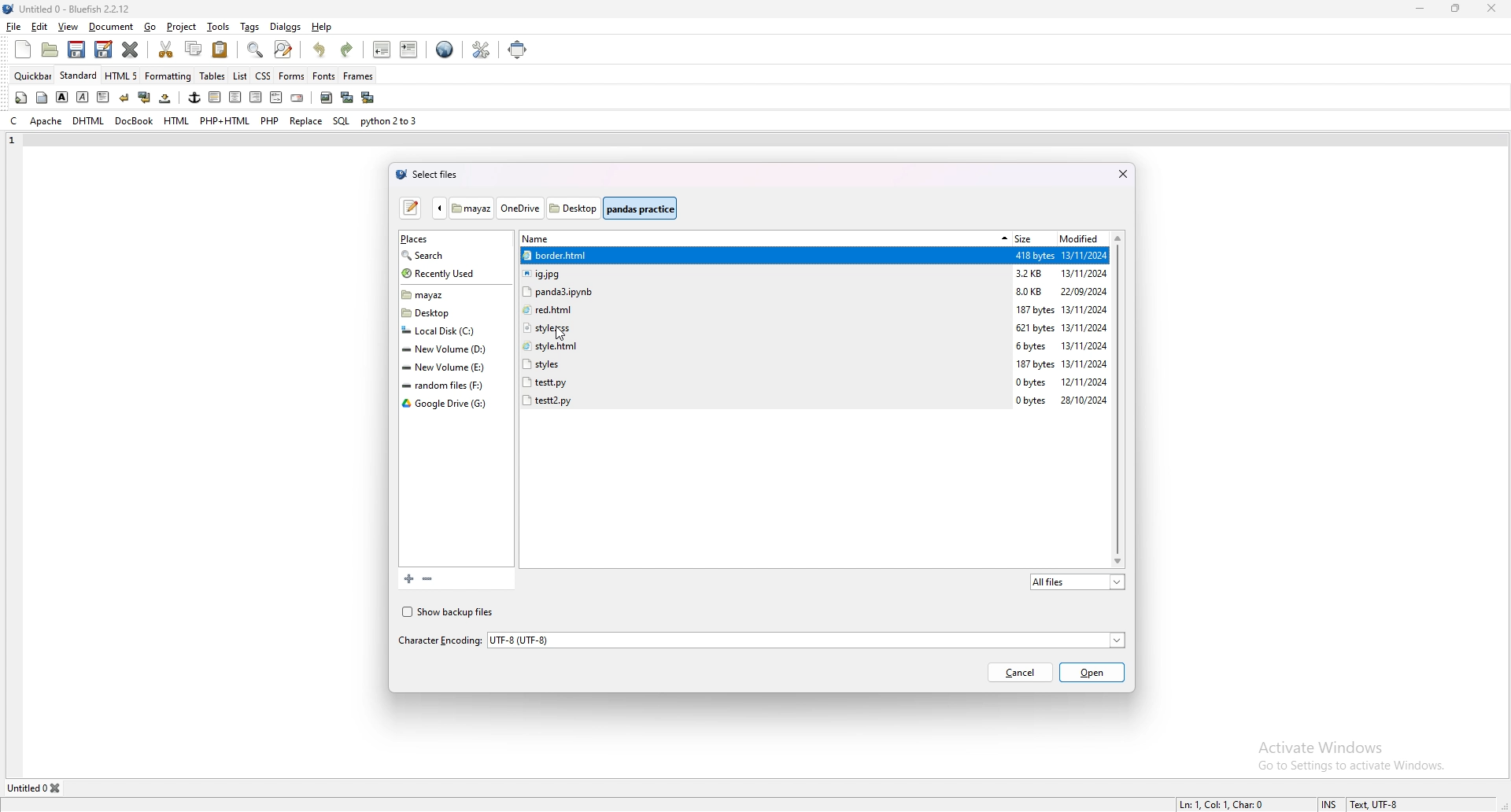 The width and height of the screenshot is (1511, 812). Describe the element at coordinates (103, 98) in the screenshot. I see `paragraph` at that location.